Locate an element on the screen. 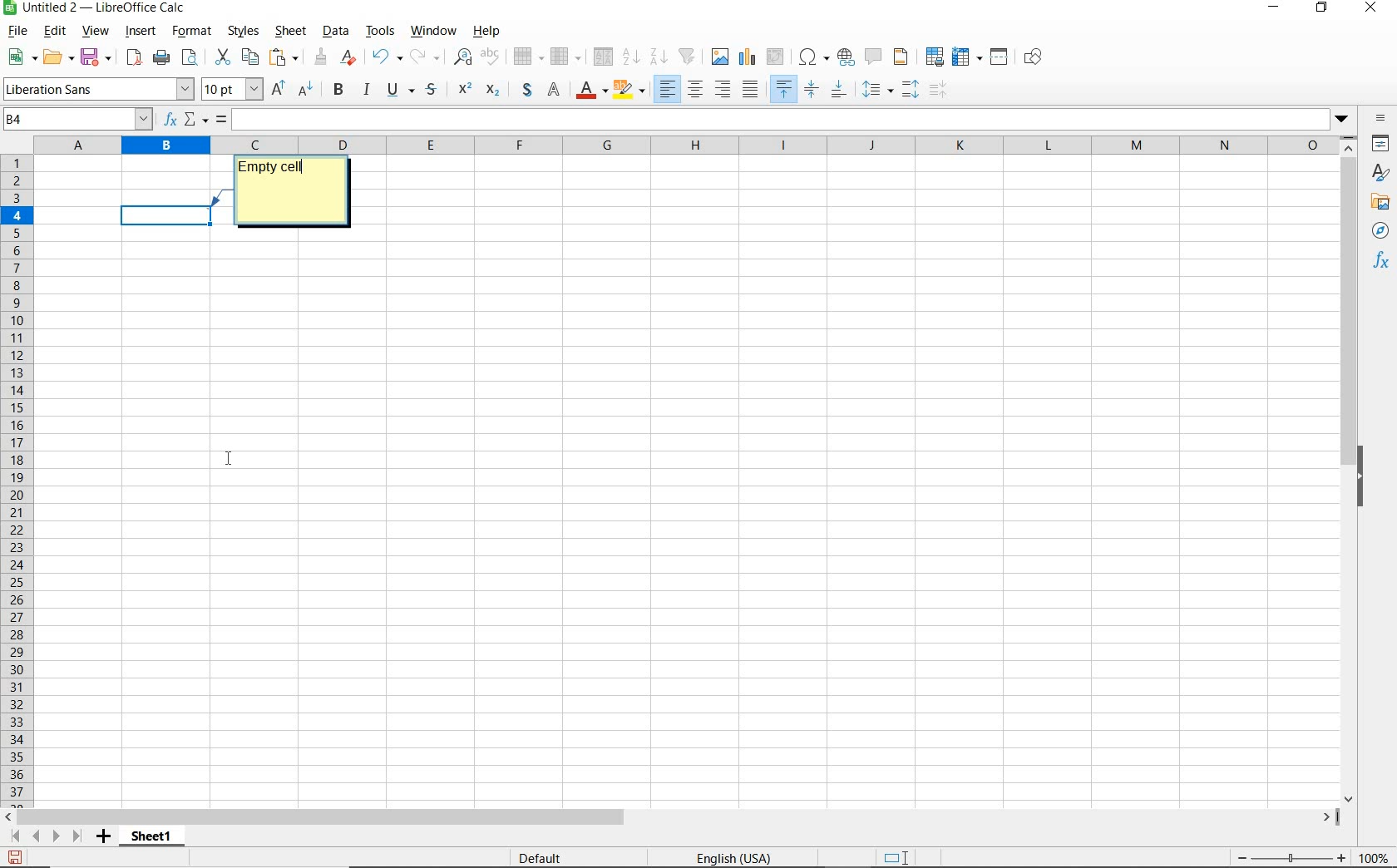 This screenshot has width=1397, height=868. insert or edit pivot table is located at coordinates (777, 57).